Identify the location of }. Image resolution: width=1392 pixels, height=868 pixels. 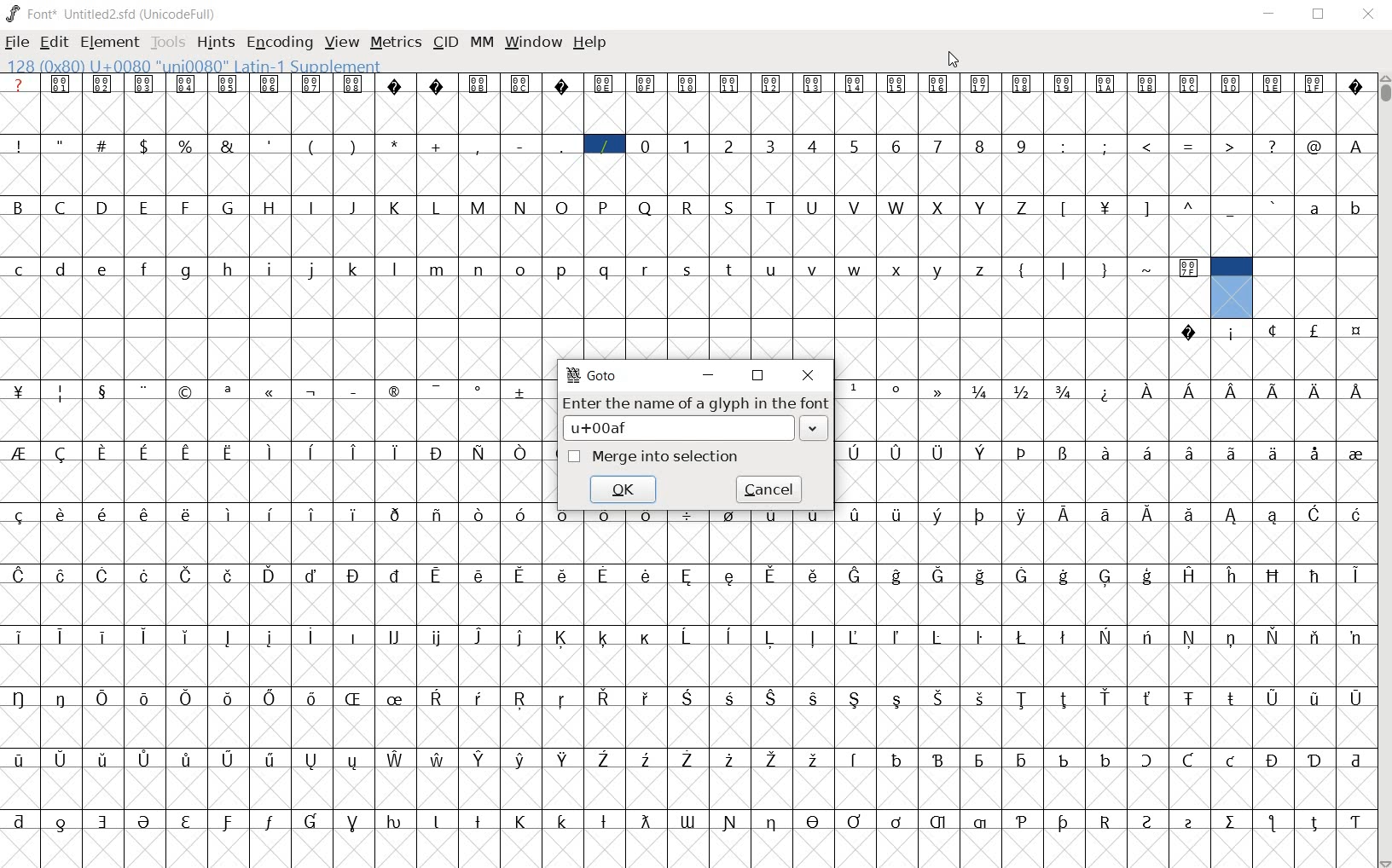
(1106, 269).